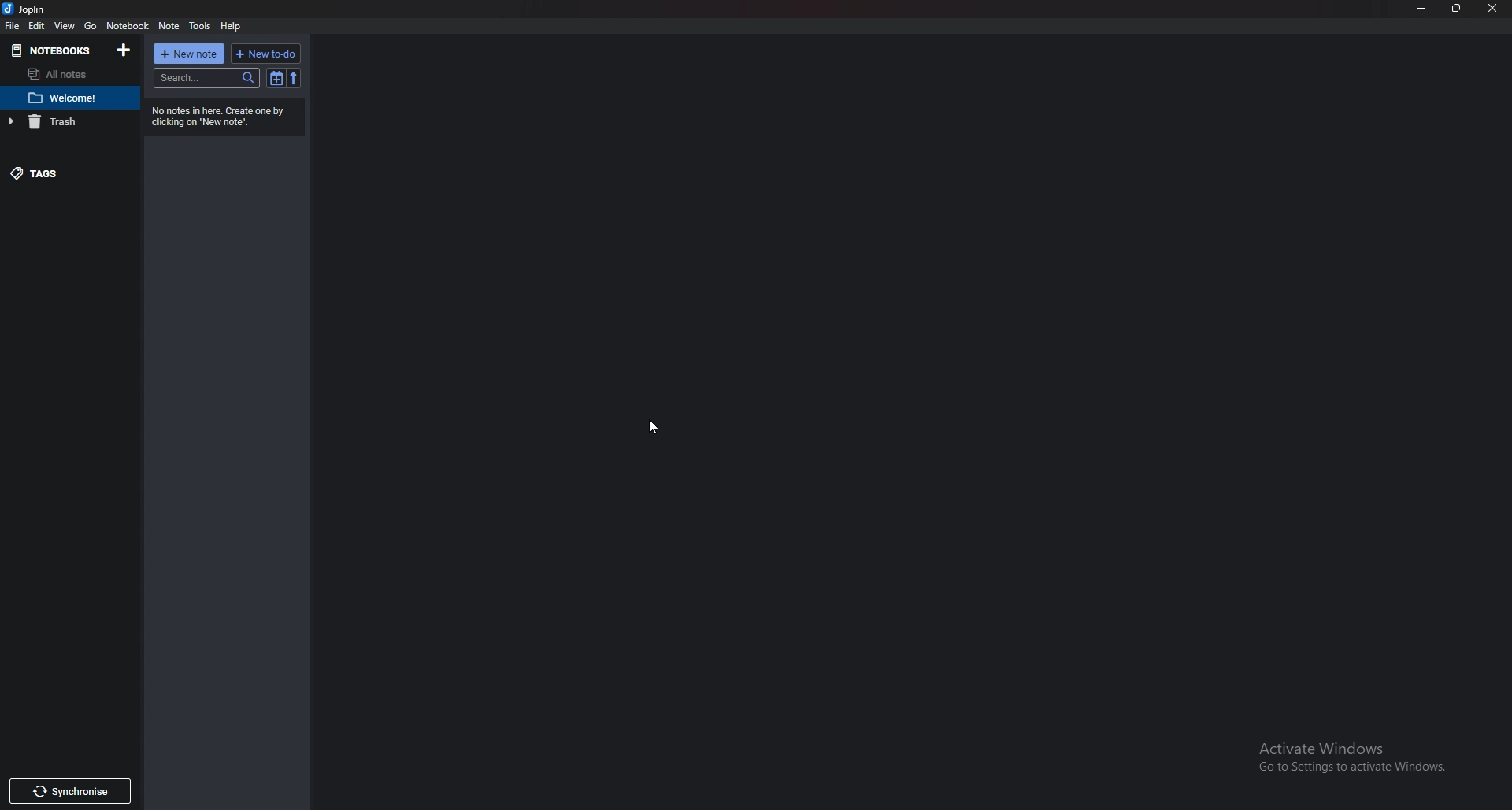  Describe the element at coordinates (1343, 754) in the screenshot. I see `Activate Windows
Go to Settings to activate Windows.` at that location.